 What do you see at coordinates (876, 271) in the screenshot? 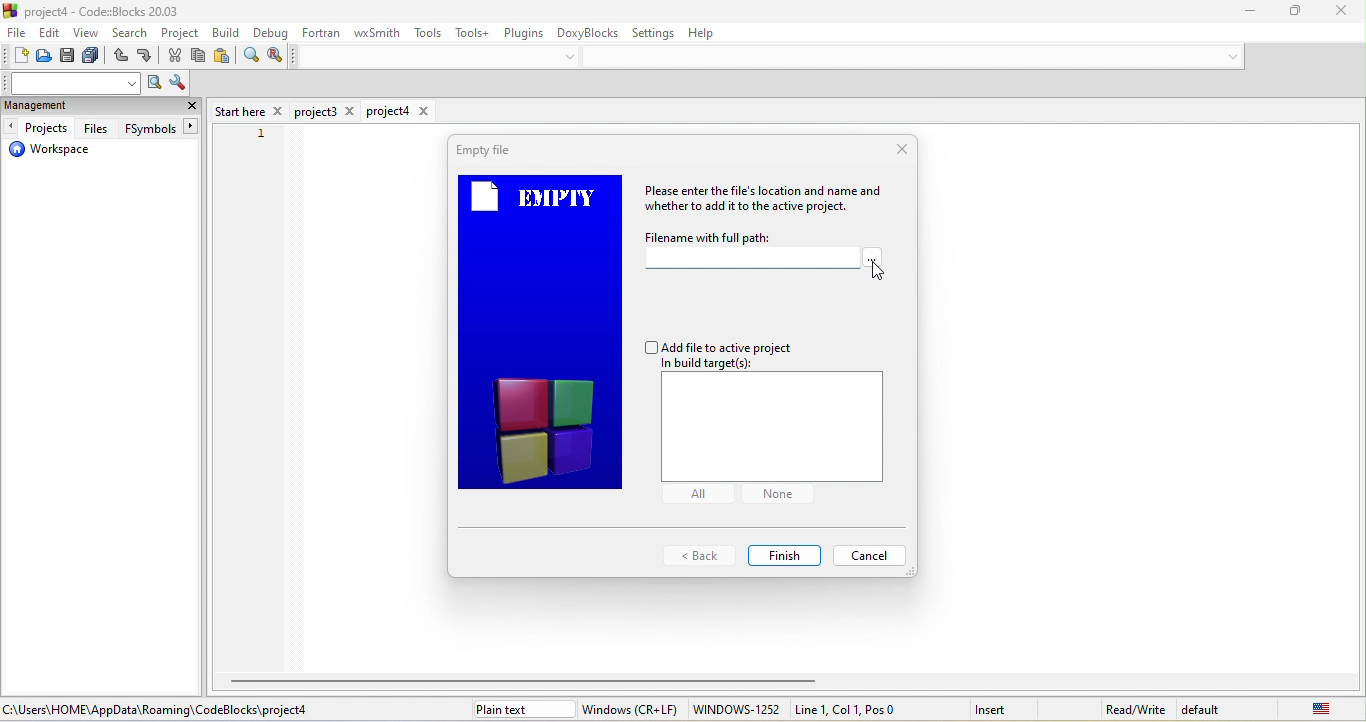
I see `cursor movement` at bounding box center [876, 271].